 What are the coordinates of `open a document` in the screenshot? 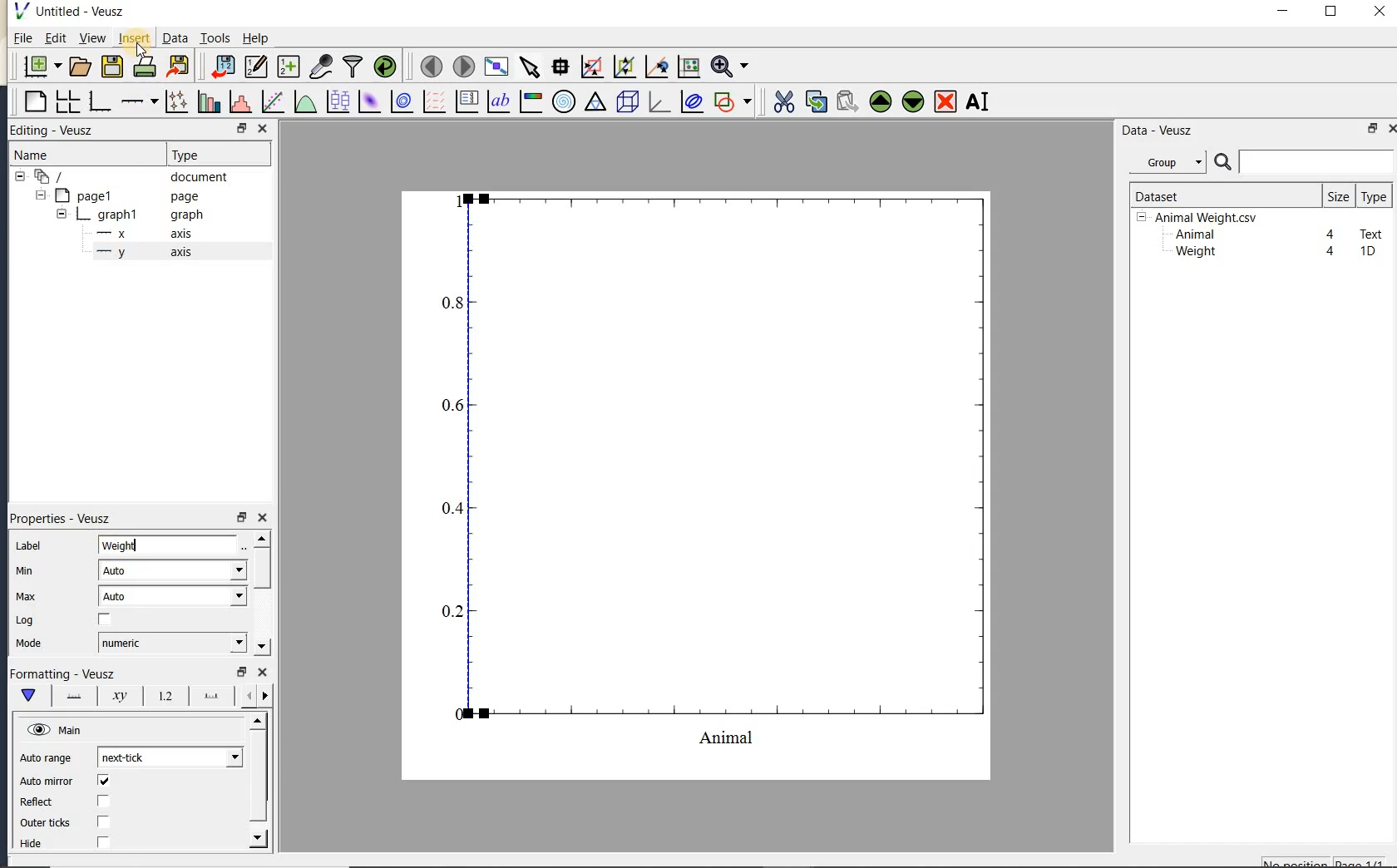 It's located at (78, 67).